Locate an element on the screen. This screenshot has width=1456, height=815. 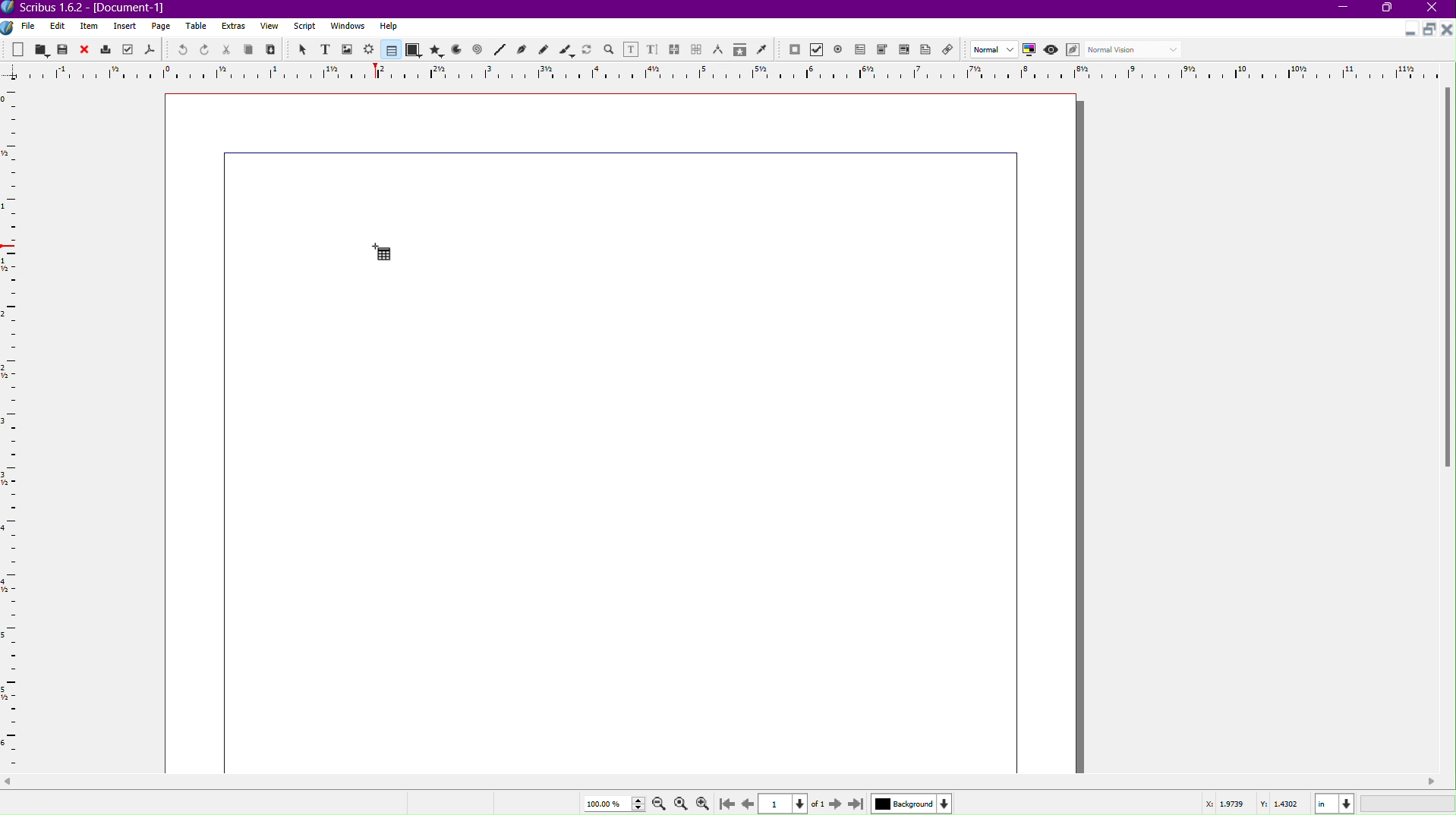
Item is located at coordinates (90, 27).